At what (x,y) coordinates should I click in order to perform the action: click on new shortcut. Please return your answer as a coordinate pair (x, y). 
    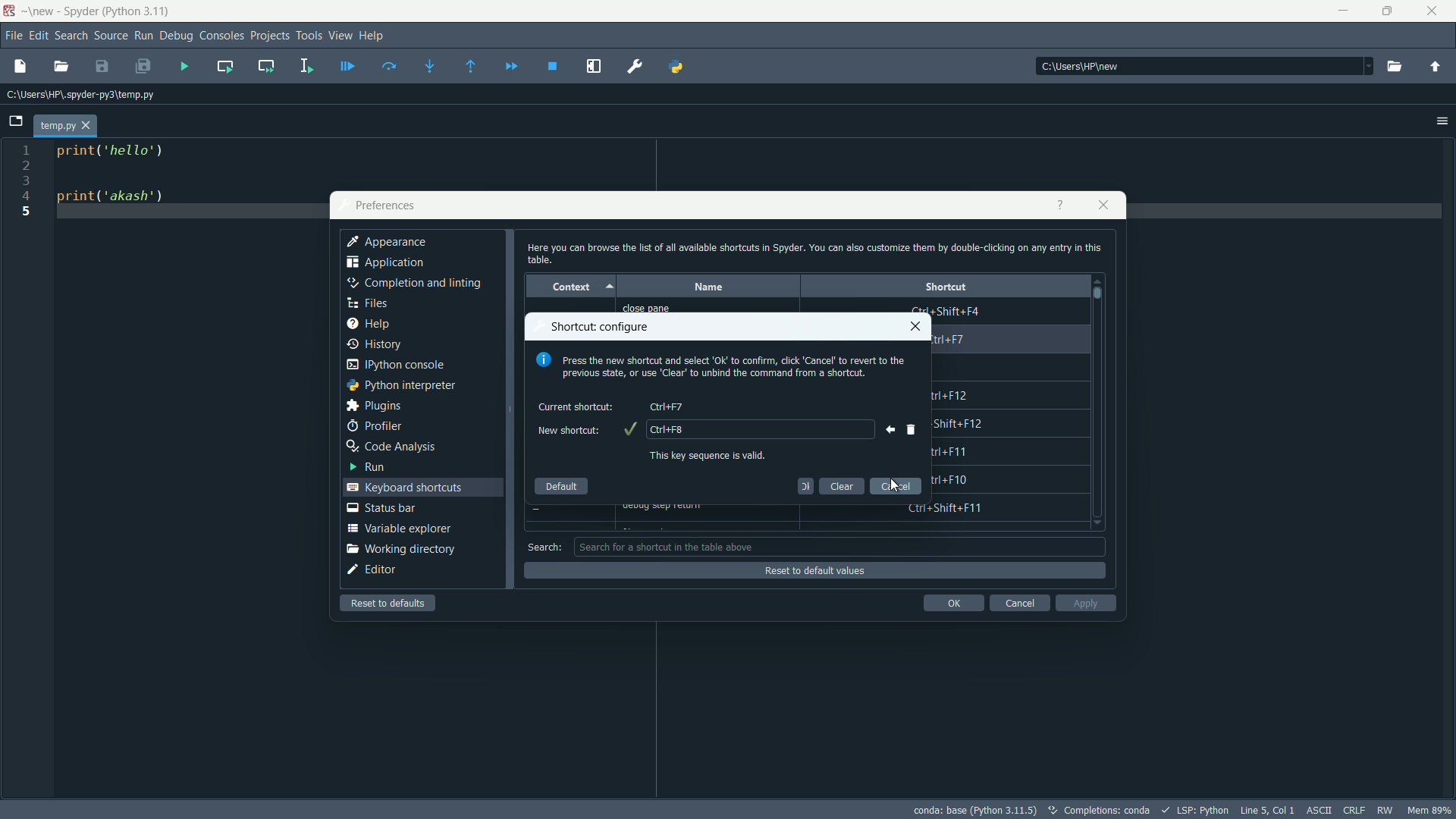
    Looking at the image, I should click on (566, 431).